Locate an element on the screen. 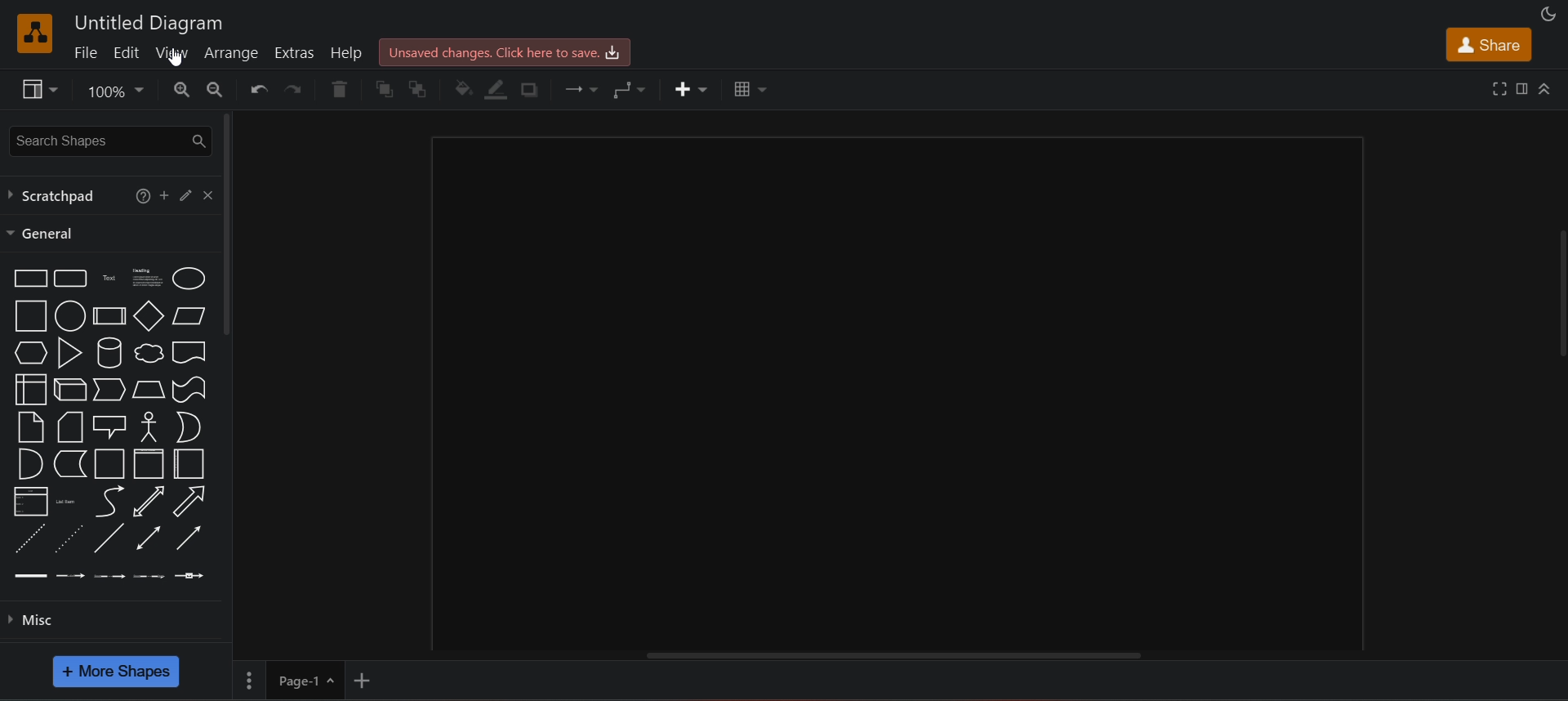  vertical scroll bar is located at coordinates (231, 227).